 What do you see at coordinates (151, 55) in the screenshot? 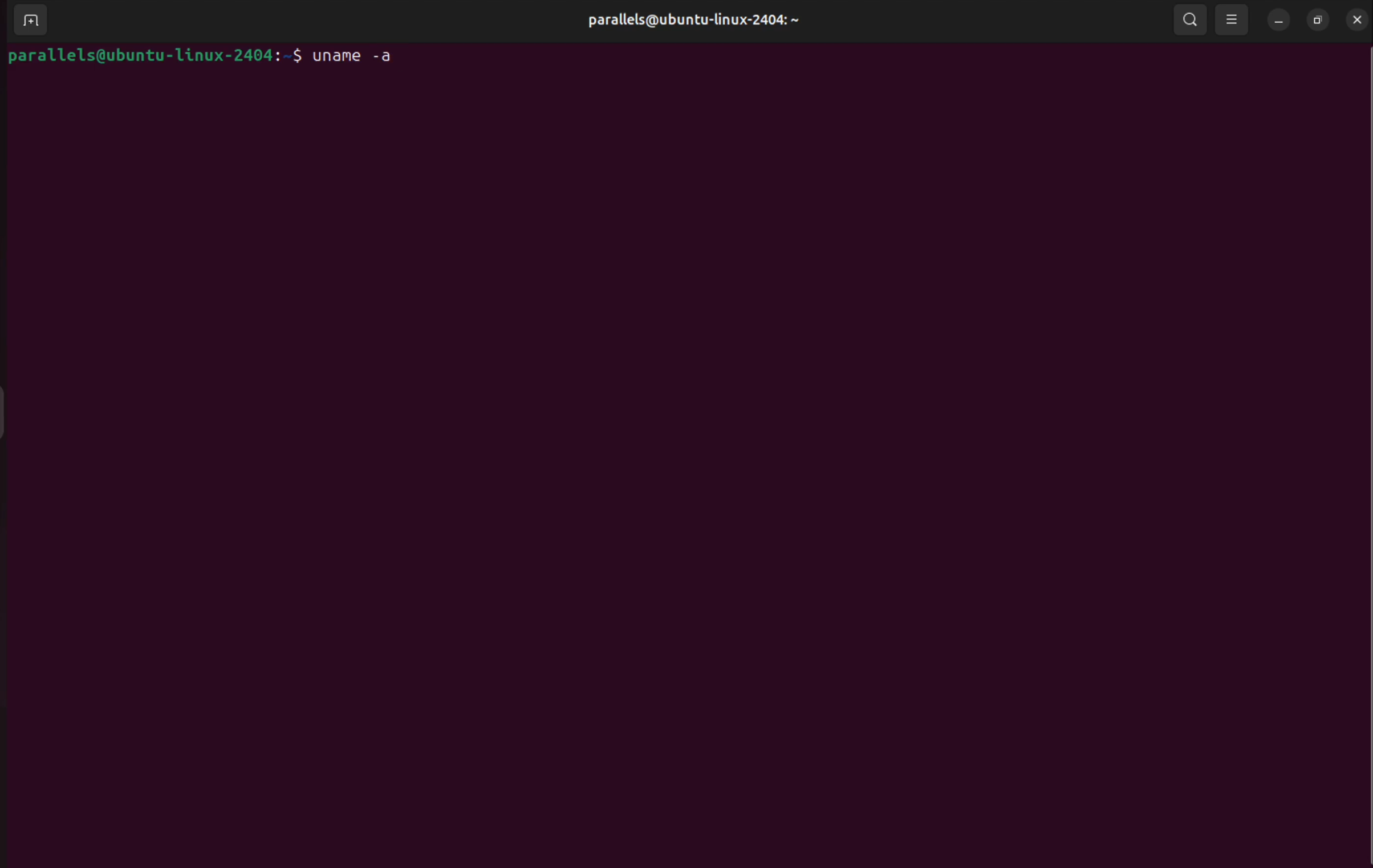
I see `parallels@ubuntu-1linux-2404:~$` at bounding box center [151, 55].